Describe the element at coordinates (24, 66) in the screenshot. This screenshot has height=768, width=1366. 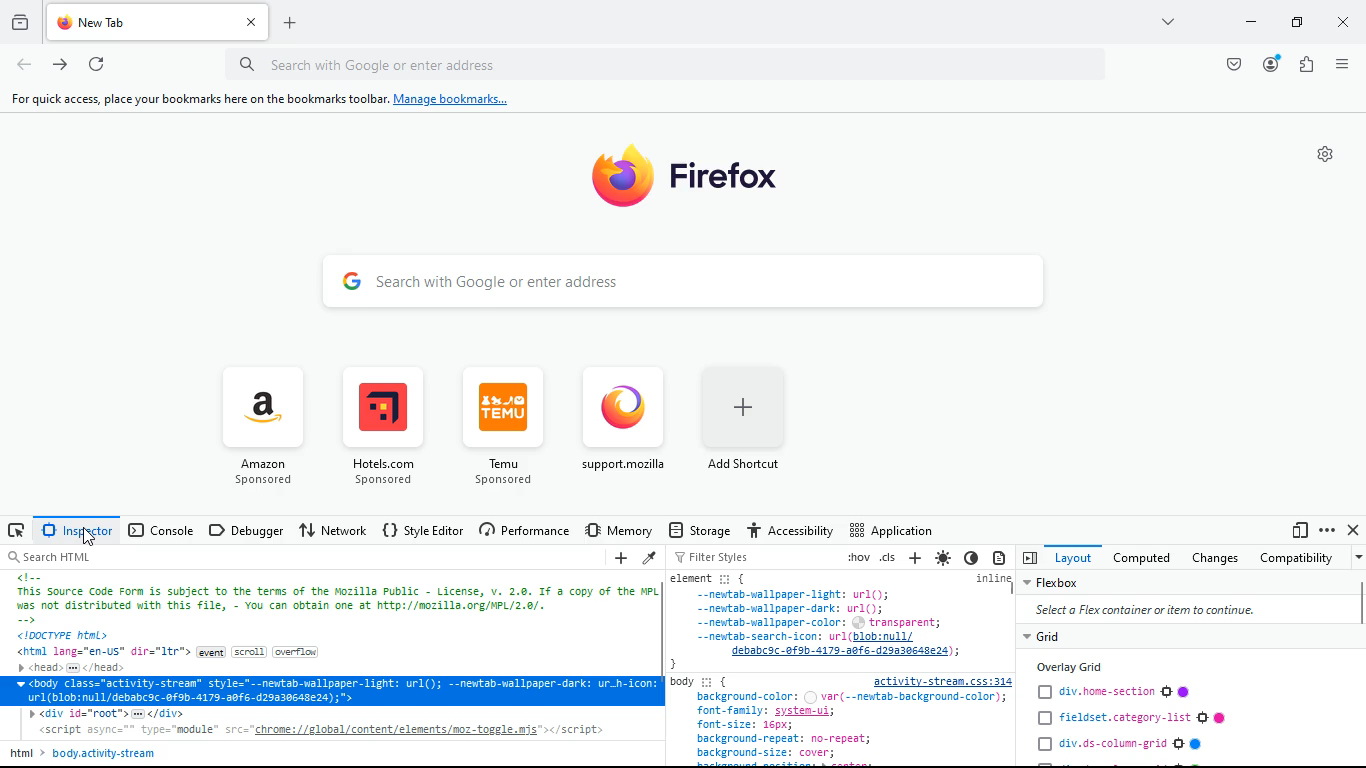
I see `back` at that location.